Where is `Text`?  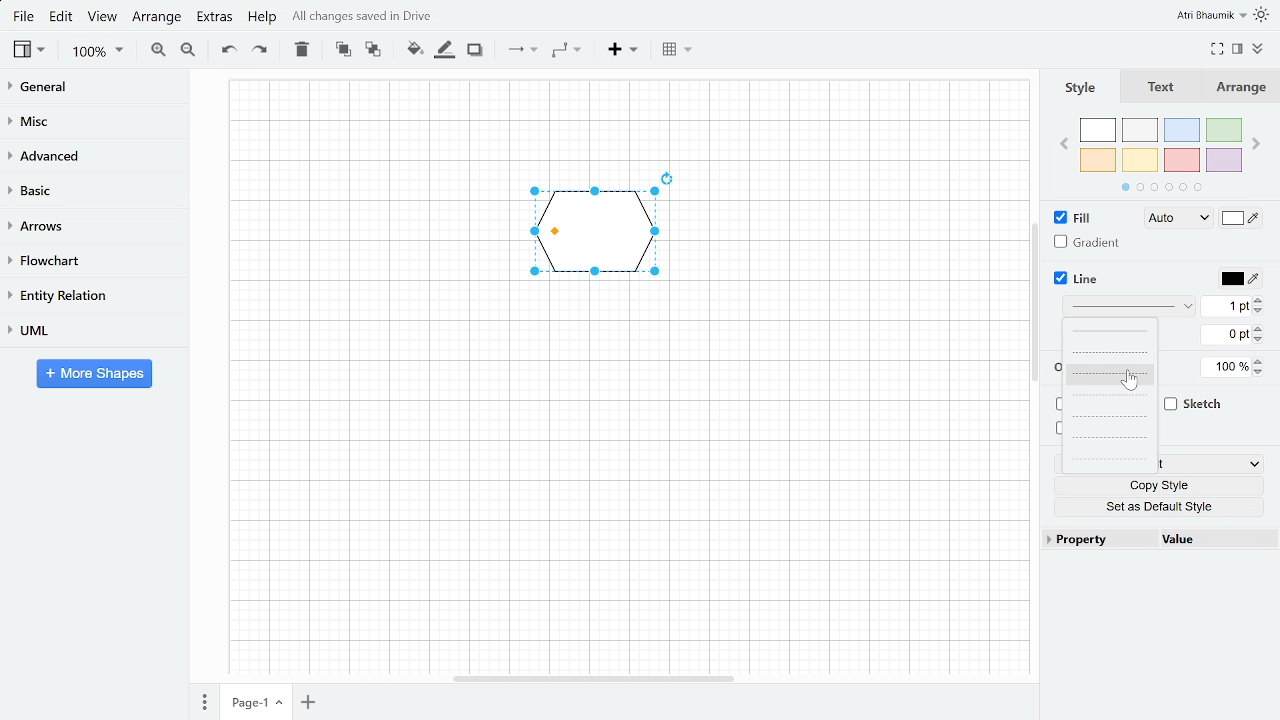 Text is located at coordinates (1154, 87).